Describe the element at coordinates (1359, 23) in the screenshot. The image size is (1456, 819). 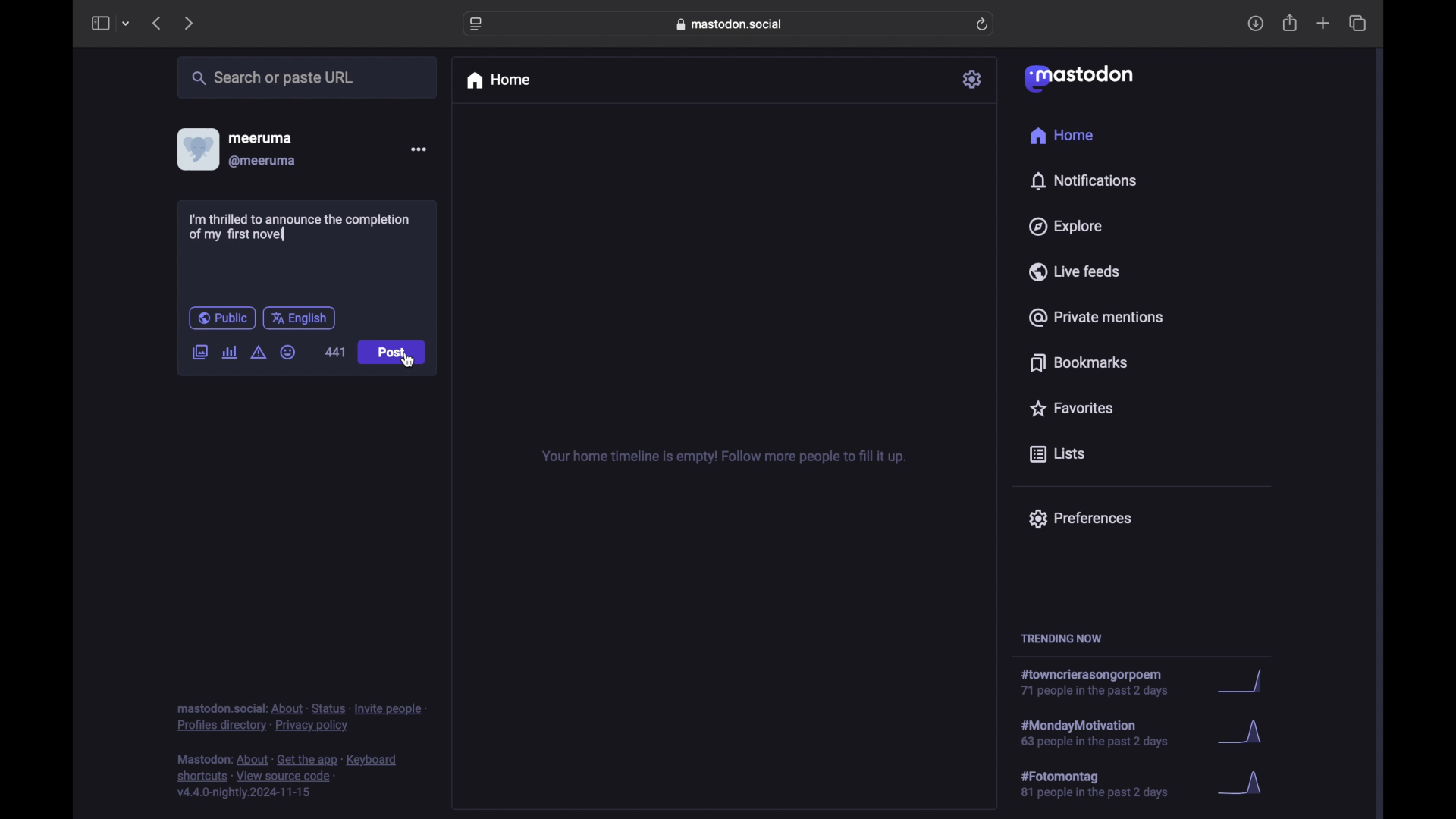
I see `show tab overview` at that location.